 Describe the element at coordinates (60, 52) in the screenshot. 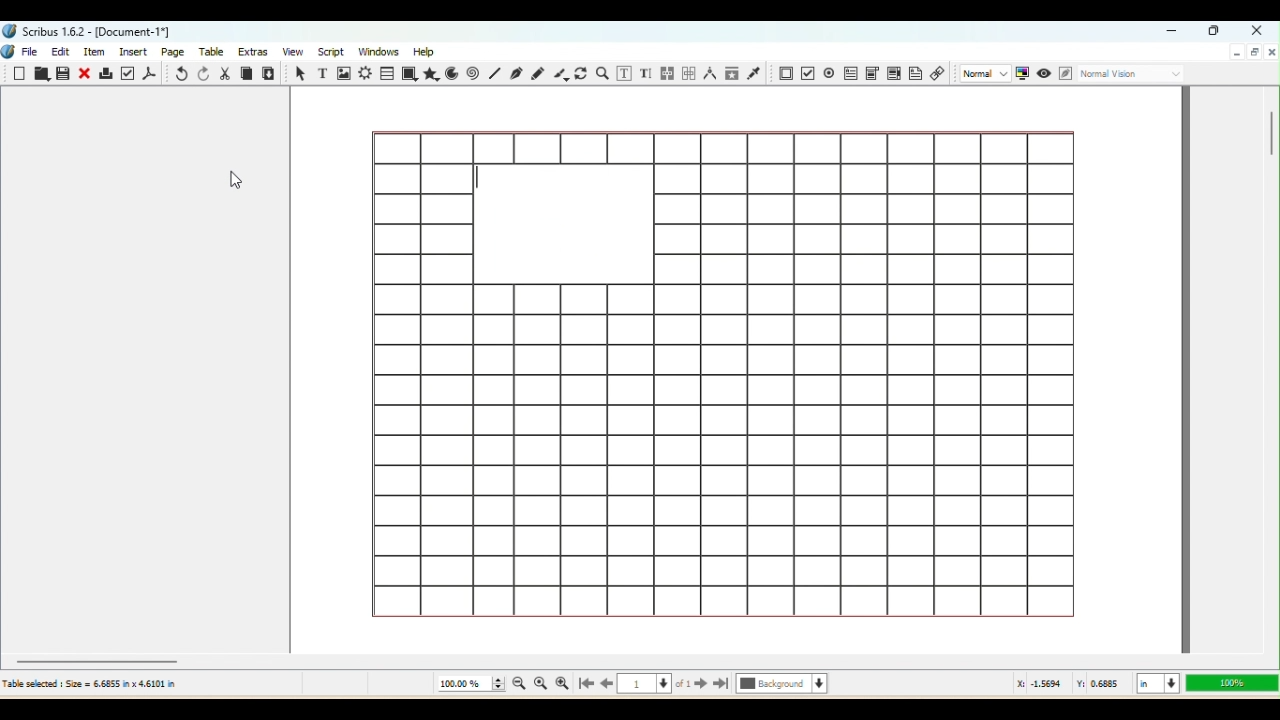

I see `Edit` at that location.